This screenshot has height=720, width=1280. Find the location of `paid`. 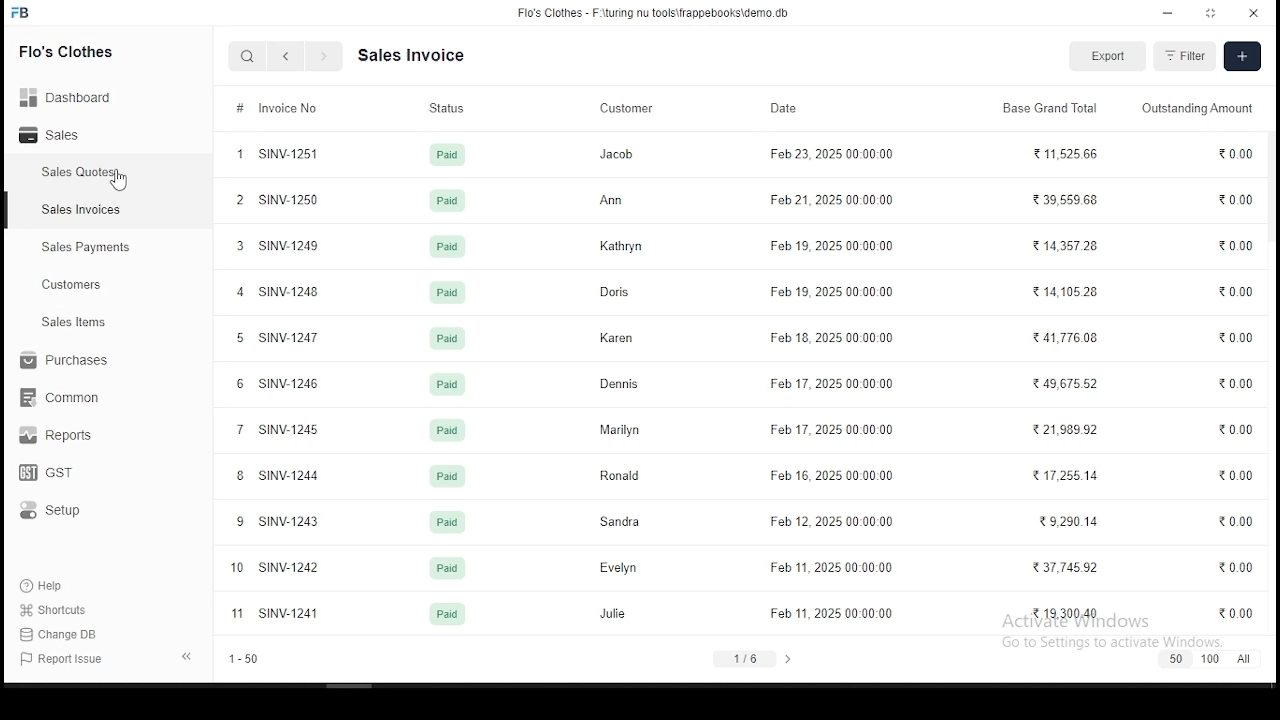

paid is located at coordinates (449, 291).